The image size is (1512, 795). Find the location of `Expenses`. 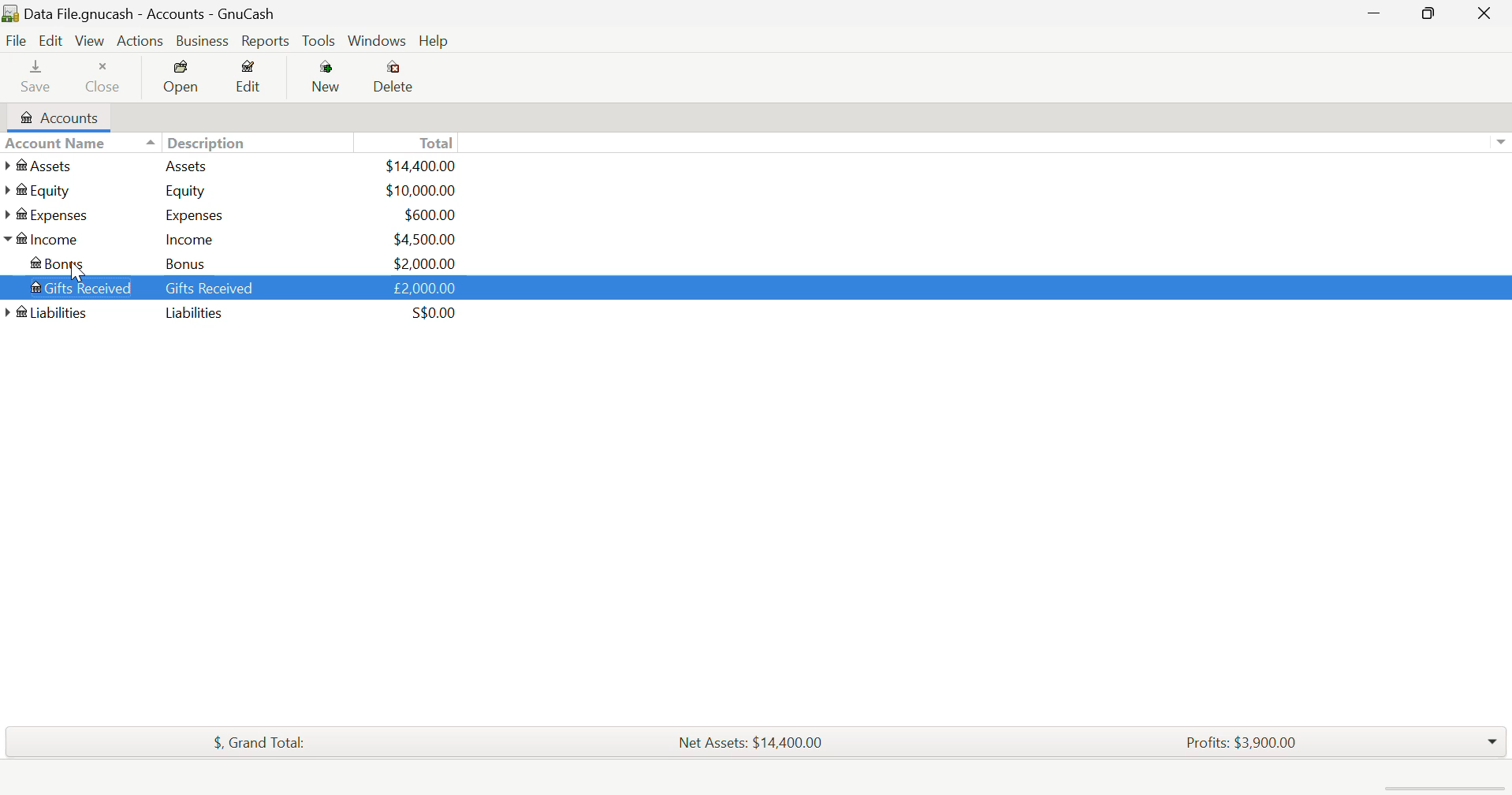

Expenses is located at coordinates (189, 214).